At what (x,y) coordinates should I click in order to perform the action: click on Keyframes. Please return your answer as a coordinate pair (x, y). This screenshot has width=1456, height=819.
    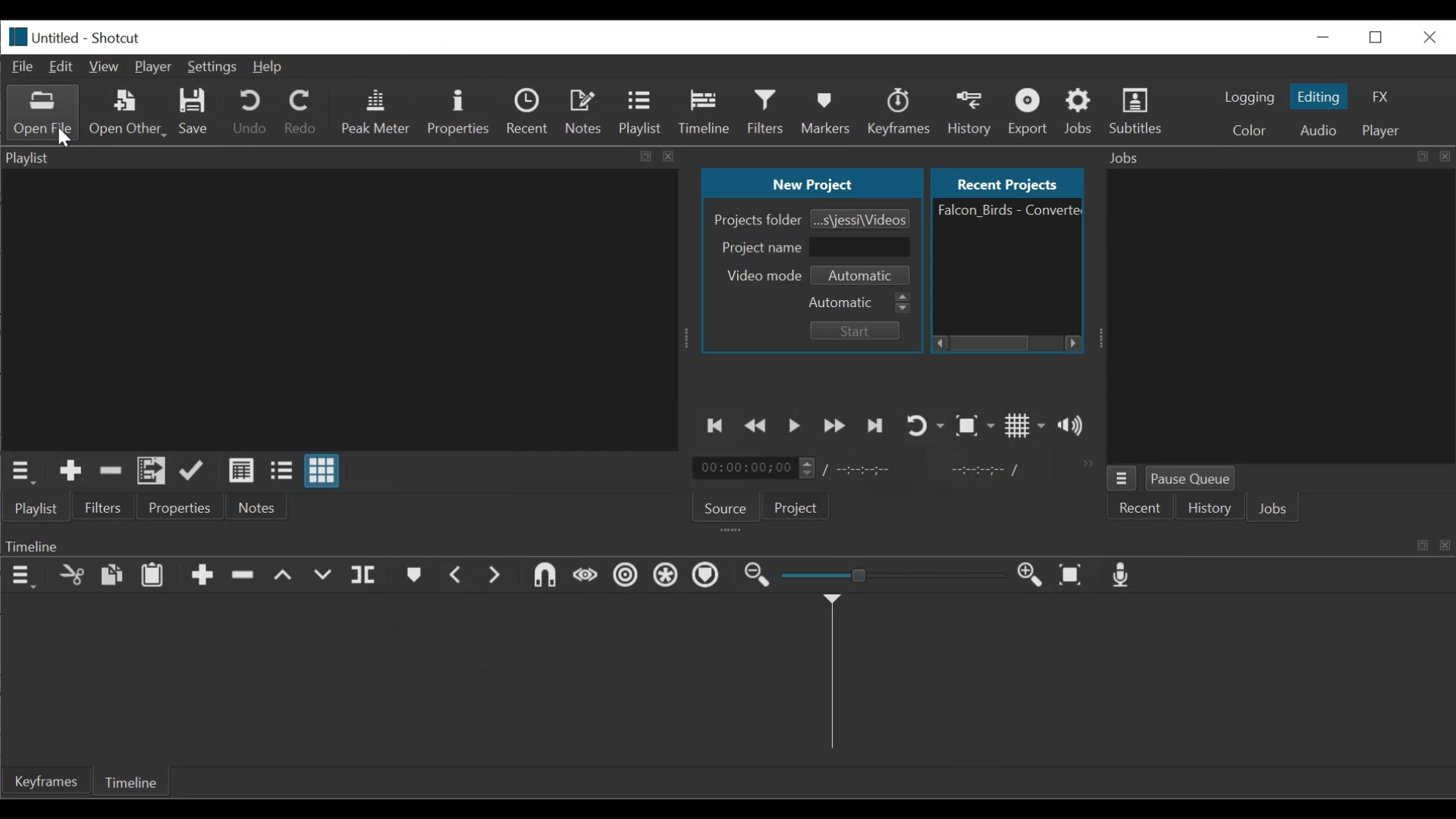
    Looking at the image, I should click on (899, 113).